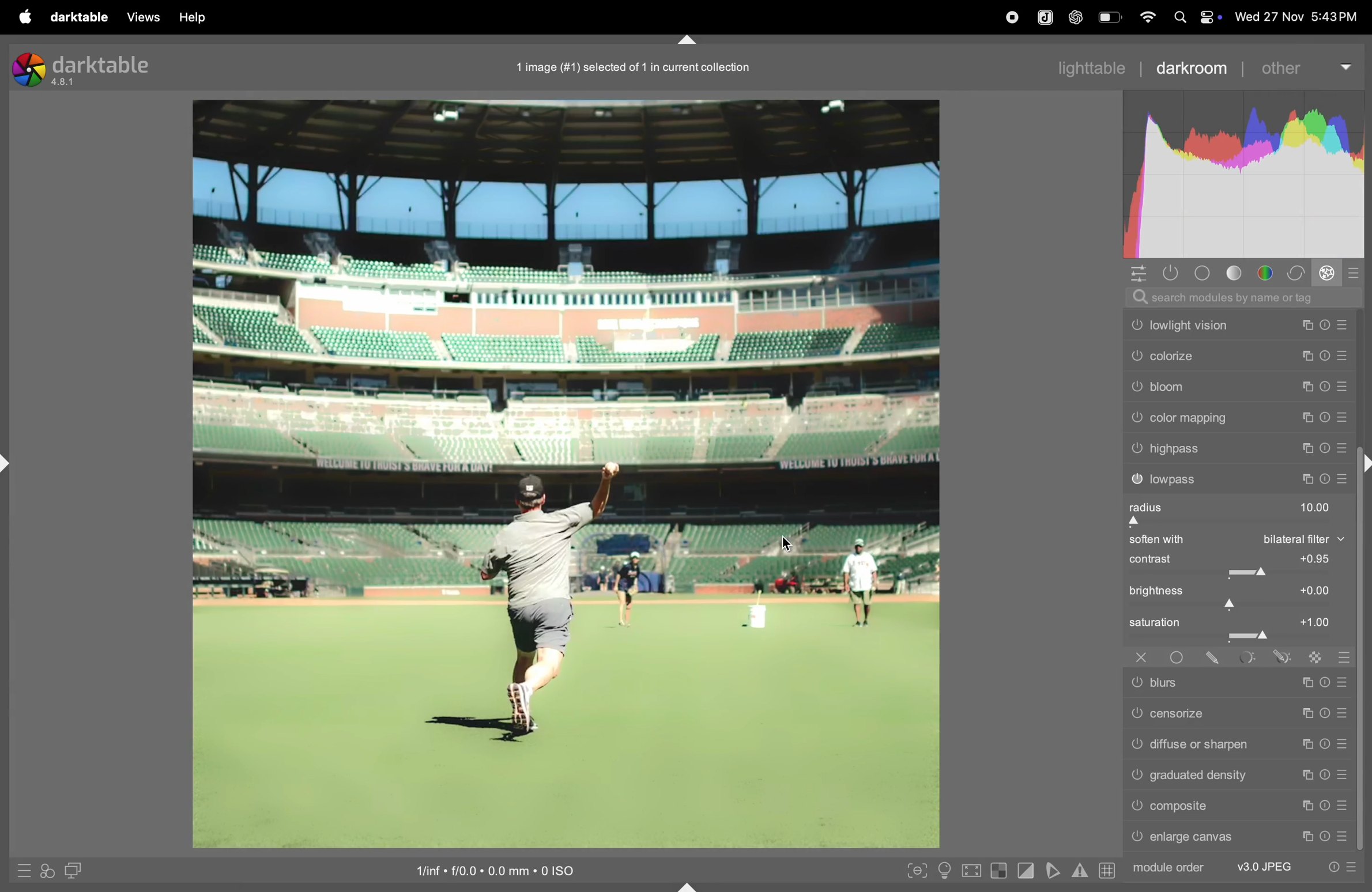 This screenshot has width=1372, height=892. I want to click on low light vision, so click(1238, 325).